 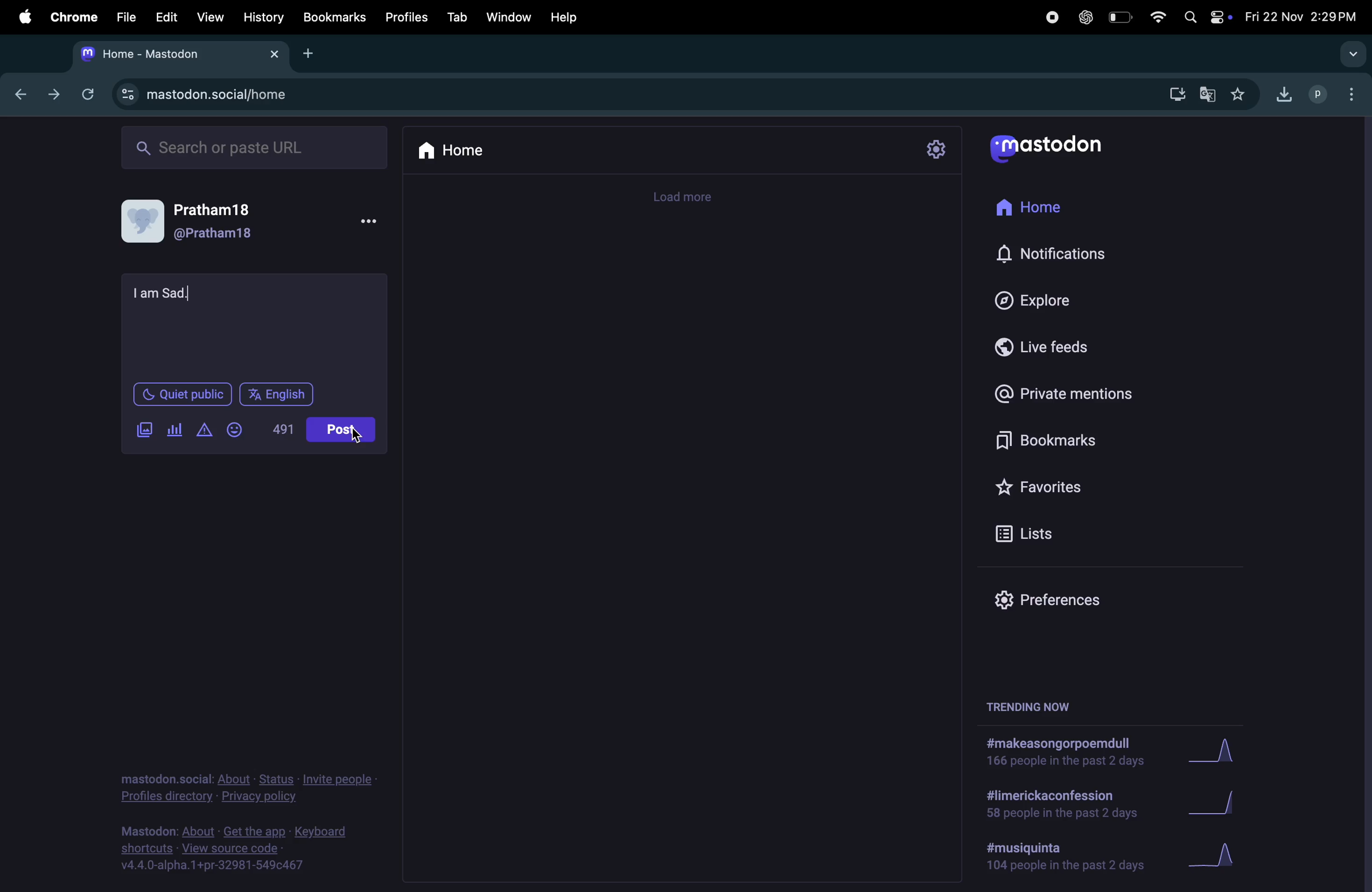 What do you see at coordinates (1122, 17) in the screenshot?
I see `battery` at bounding box center [1122, 17].